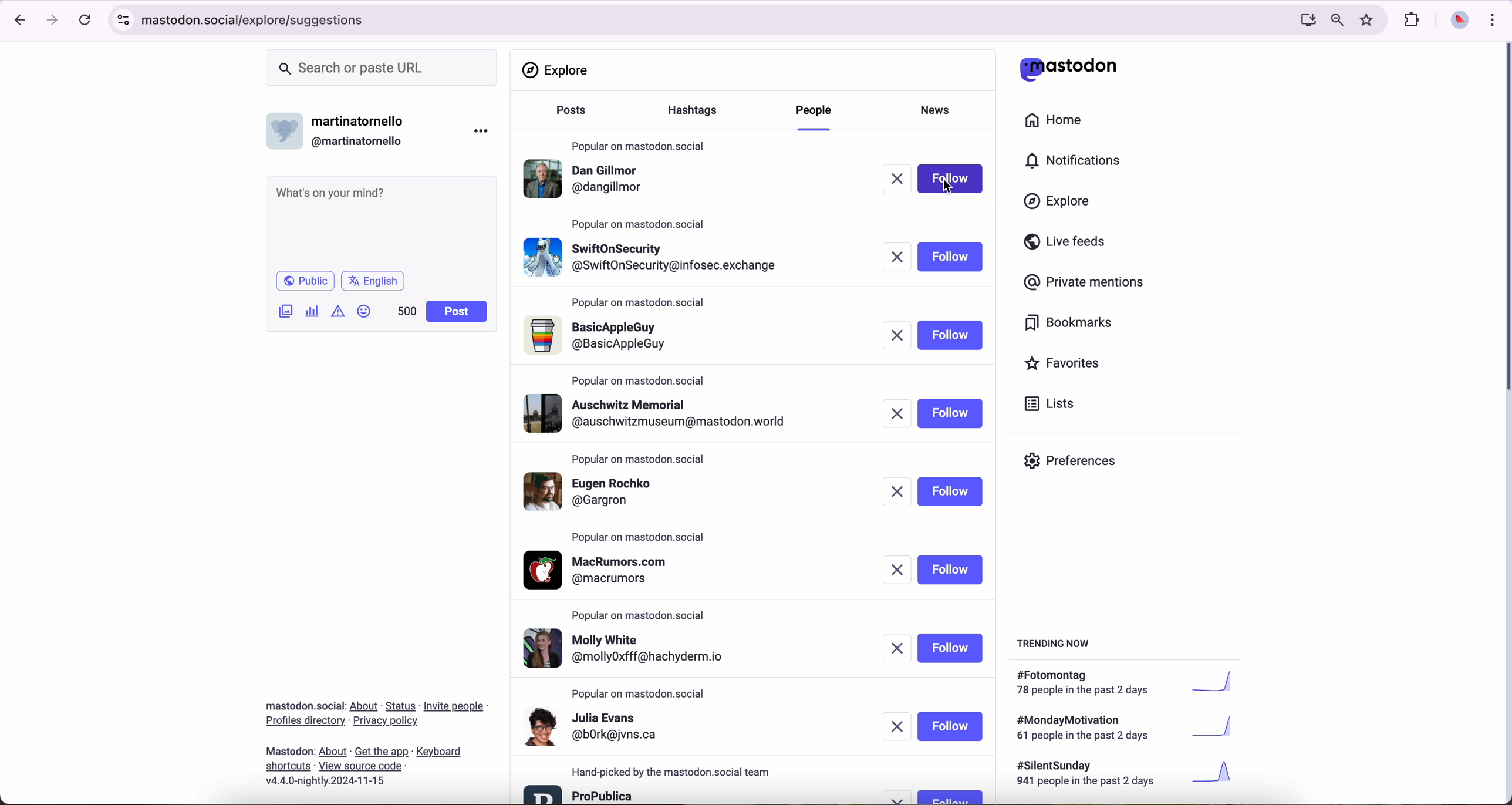 The image size is (1512, 805). What do you see at coordinates (382, 68) in the screenshot?
I see `search or paste URL` at bounding box center [382, 68].